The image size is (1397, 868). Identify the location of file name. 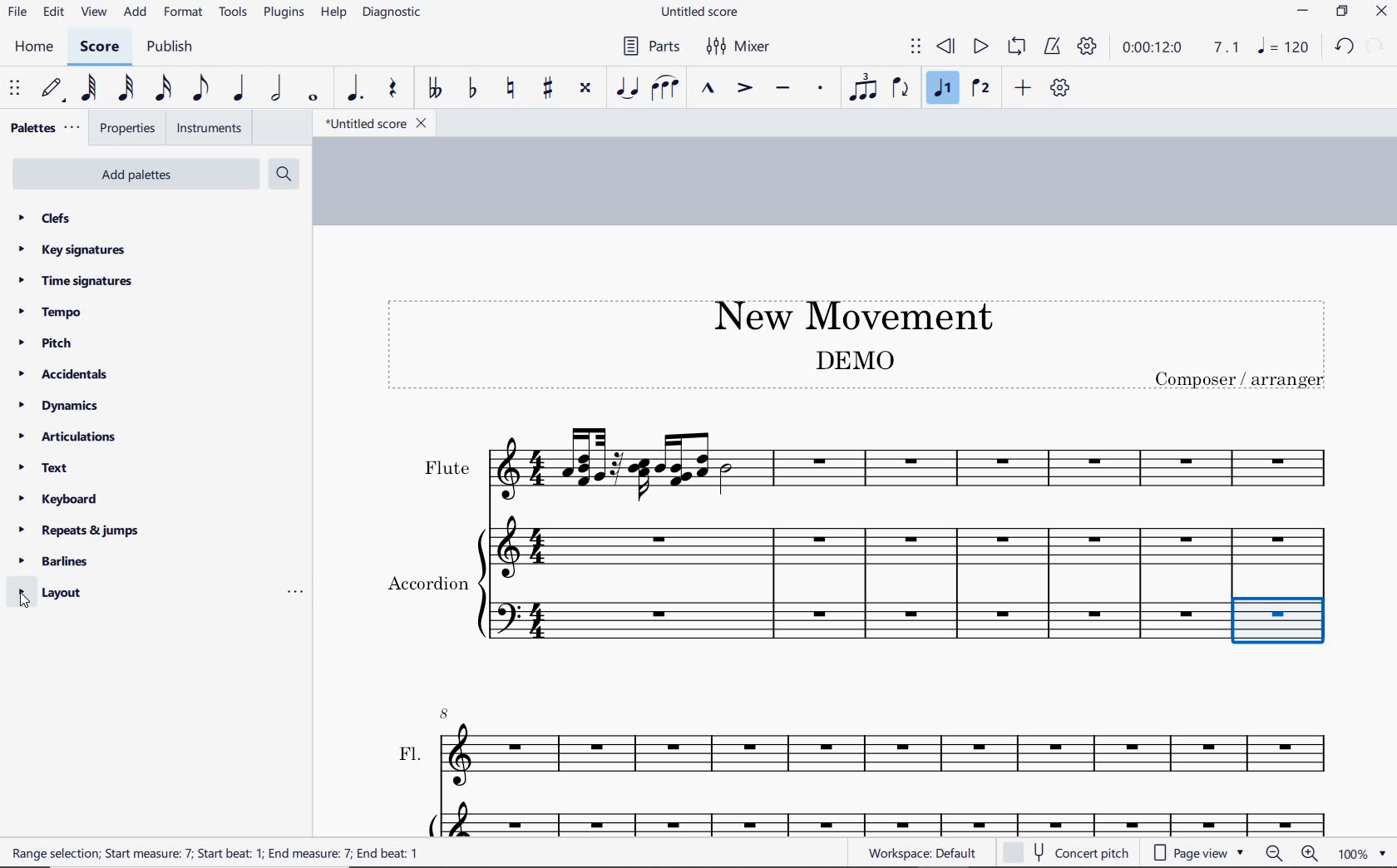
(702, 12).